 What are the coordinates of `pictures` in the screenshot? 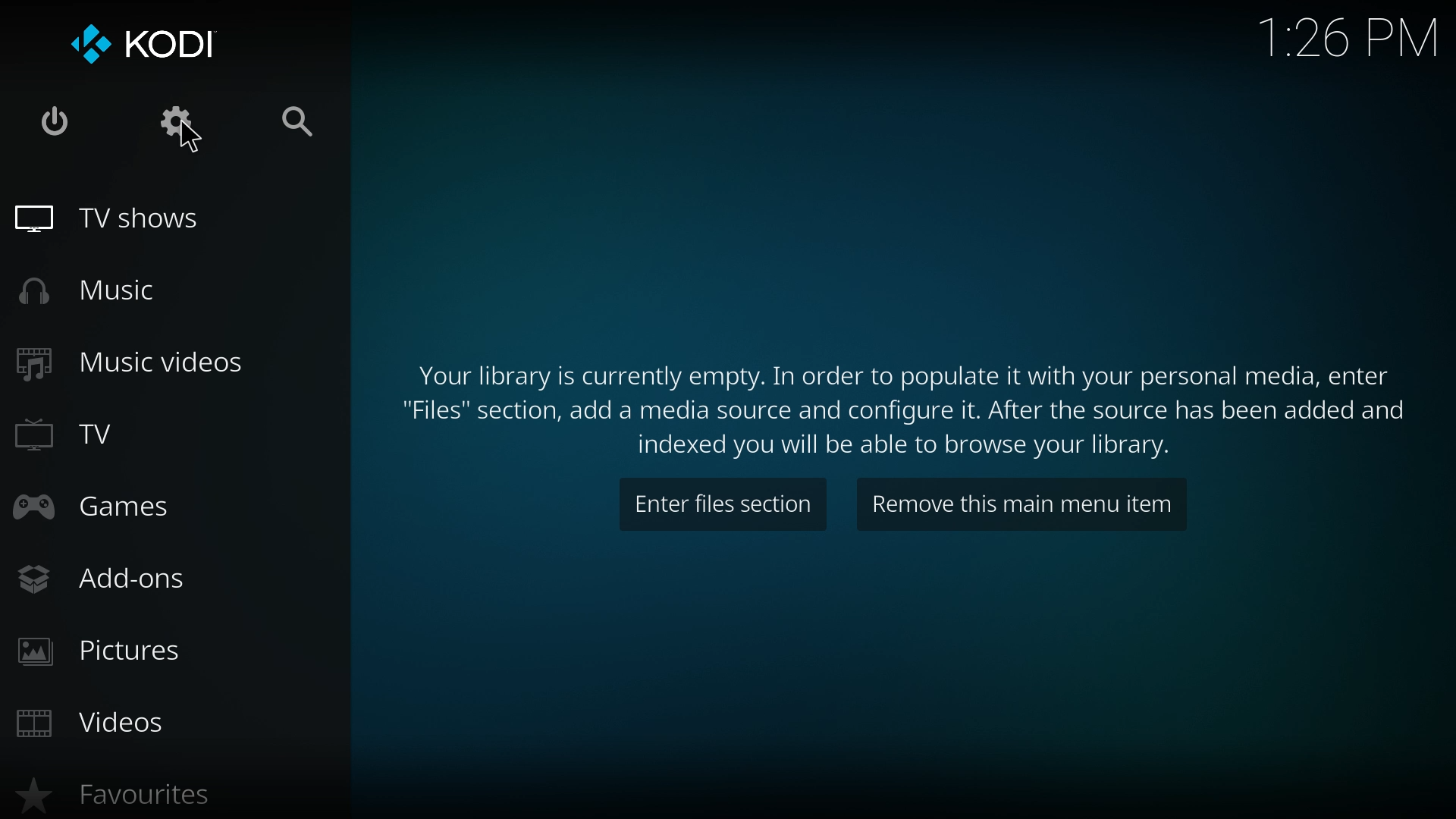 It's located at (143, 648).